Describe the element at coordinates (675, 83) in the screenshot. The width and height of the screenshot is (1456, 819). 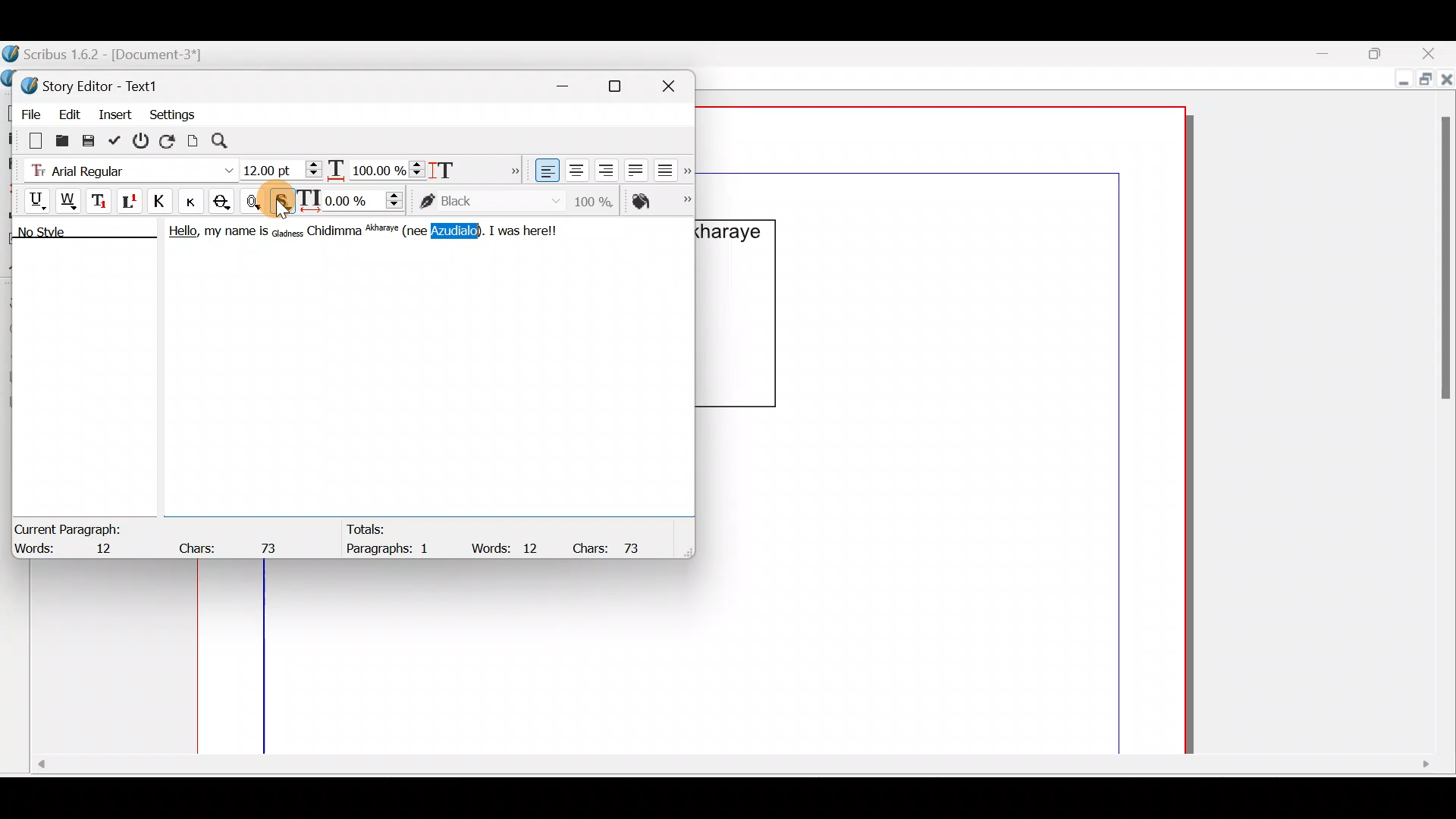
I see `Close` at that location.